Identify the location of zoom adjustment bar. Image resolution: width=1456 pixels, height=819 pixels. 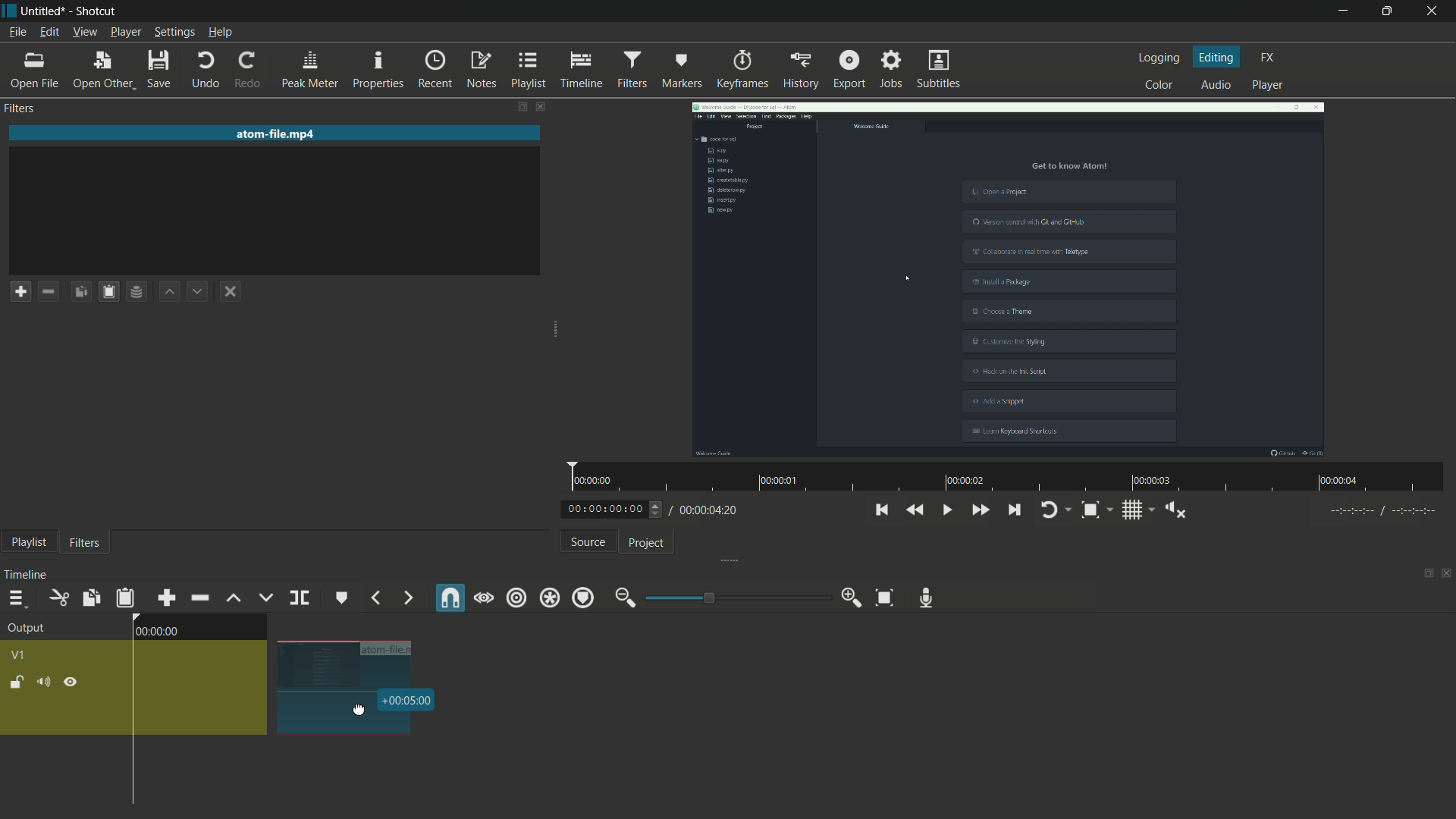
(735, 597).